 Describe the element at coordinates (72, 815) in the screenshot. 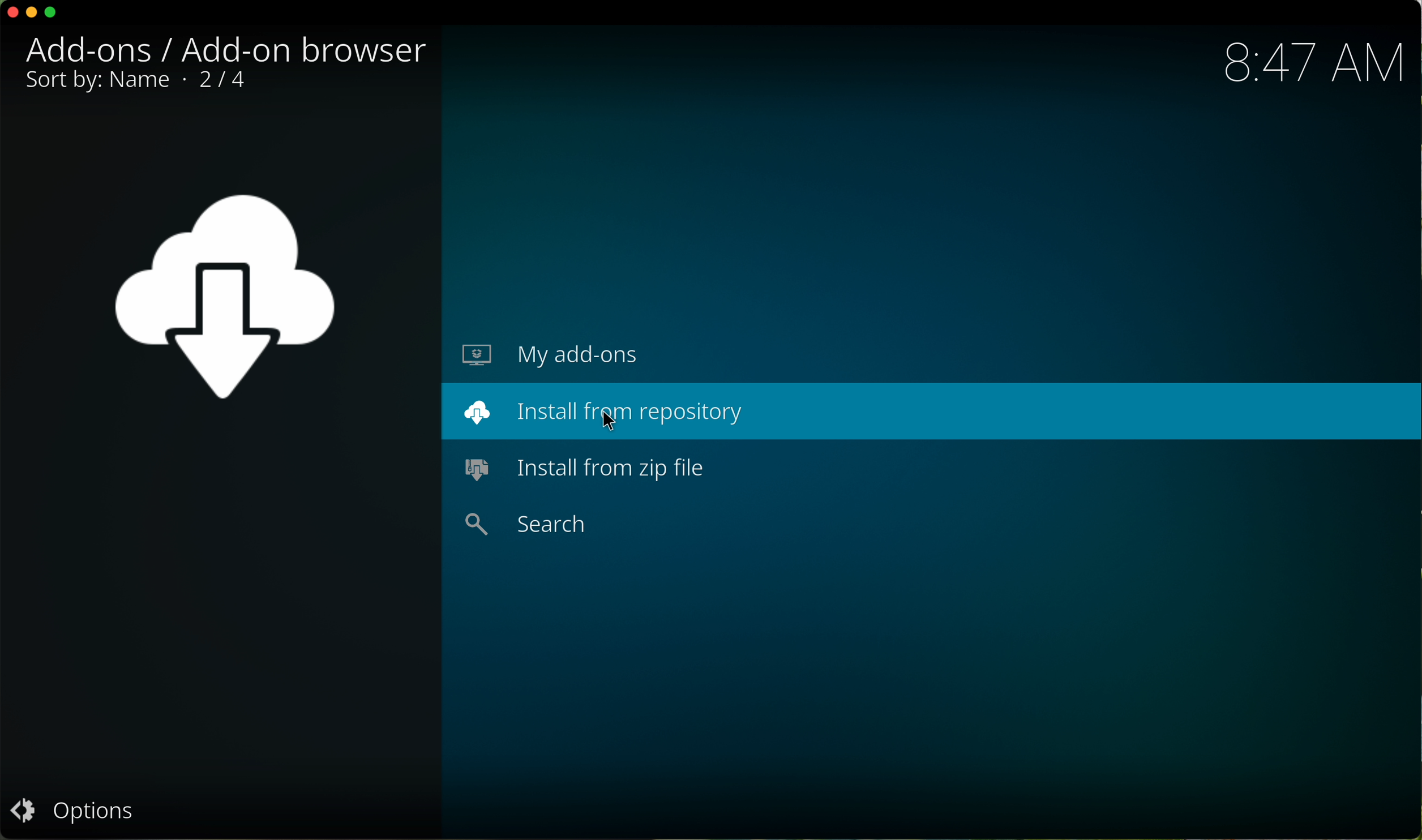

I see `options` at that location.